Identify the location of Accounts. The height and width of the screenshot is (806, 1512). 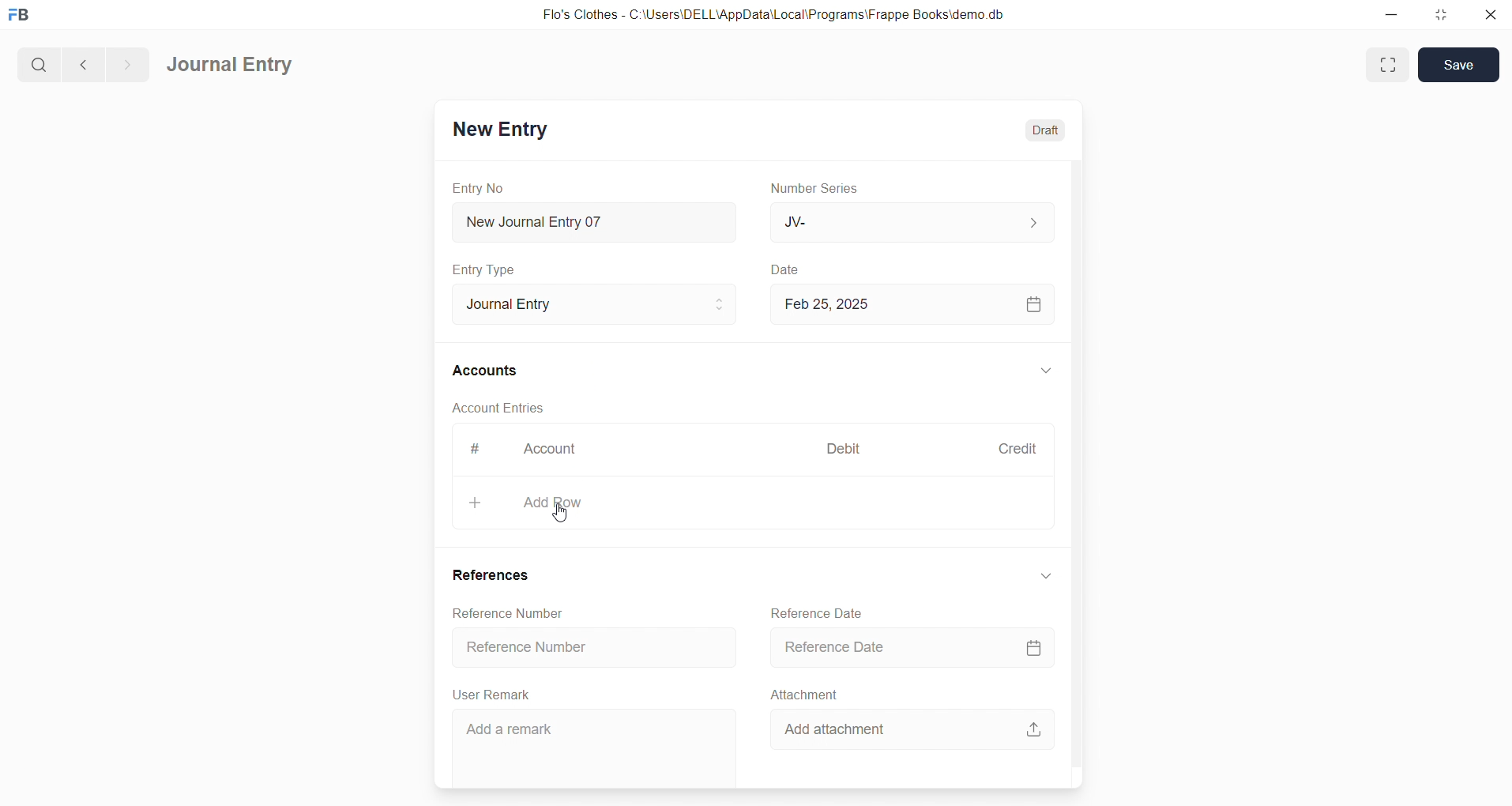
(486, 372).